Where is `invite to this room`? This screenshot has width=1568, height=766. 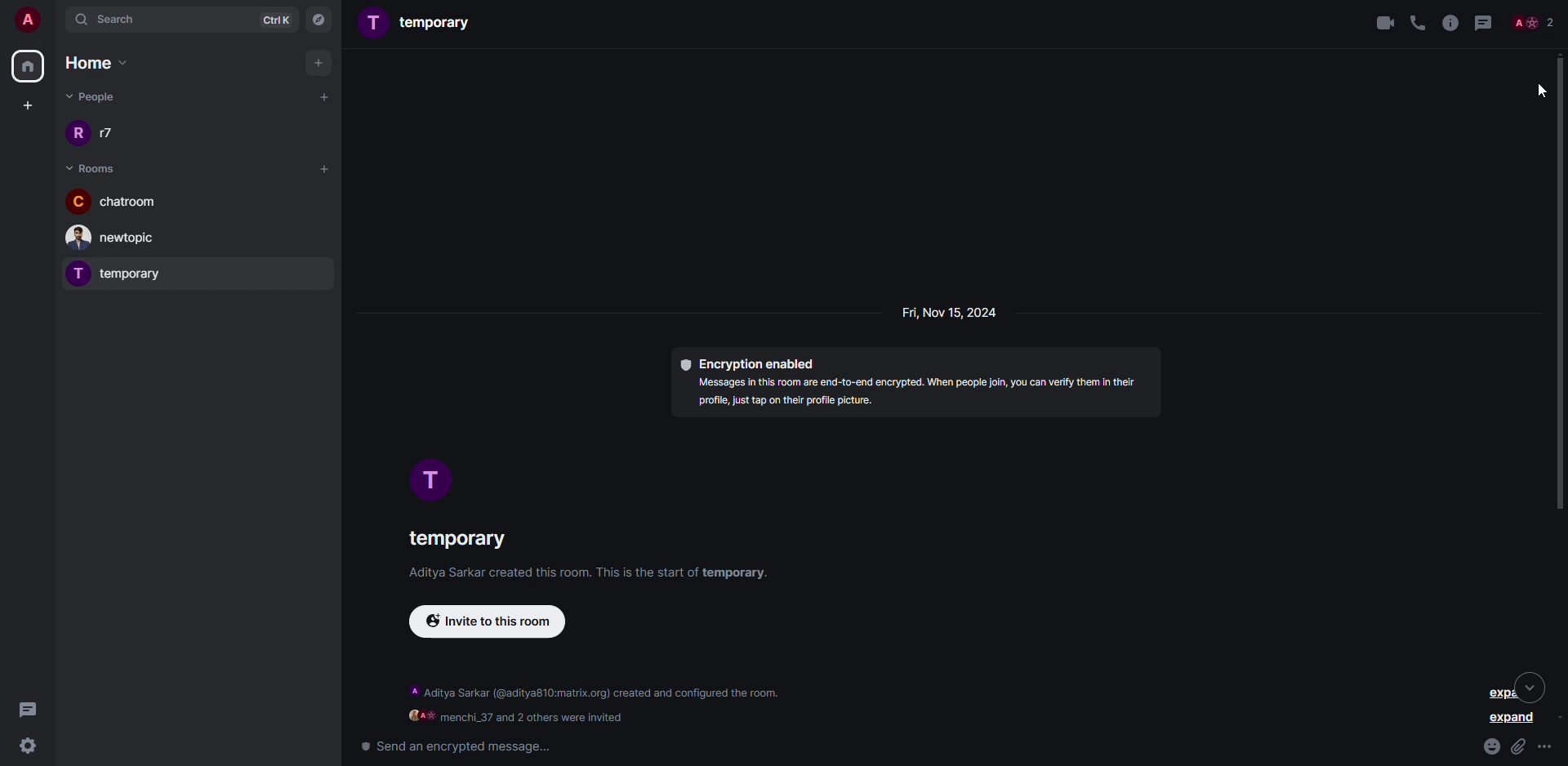 invite to this room is located at coordinates (497, 624).